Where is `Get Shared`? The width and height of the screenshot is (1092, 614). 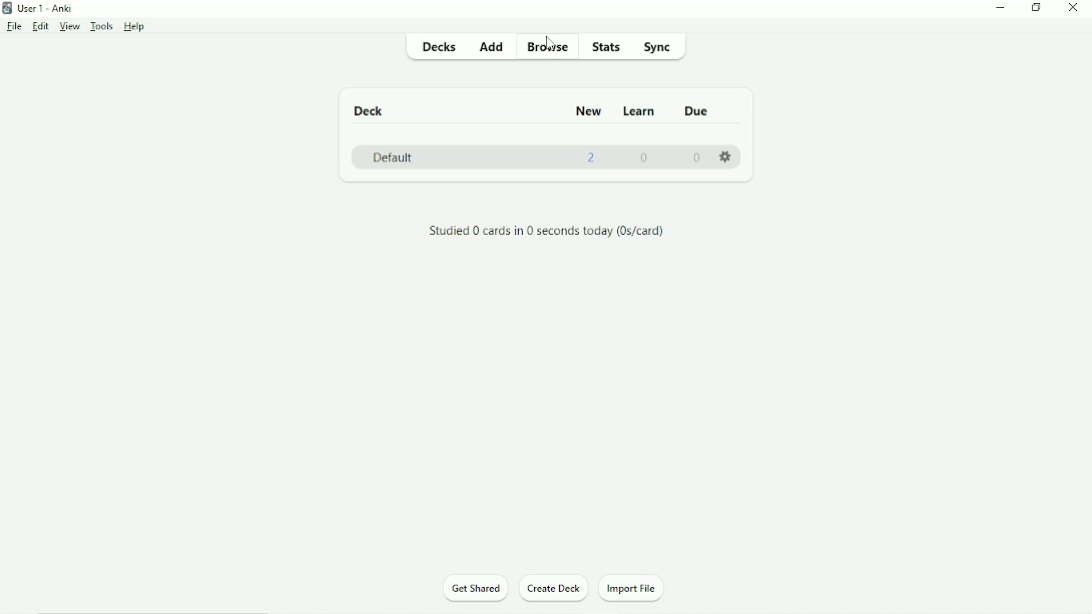 Get Shared is located at coordinates (475, 588).